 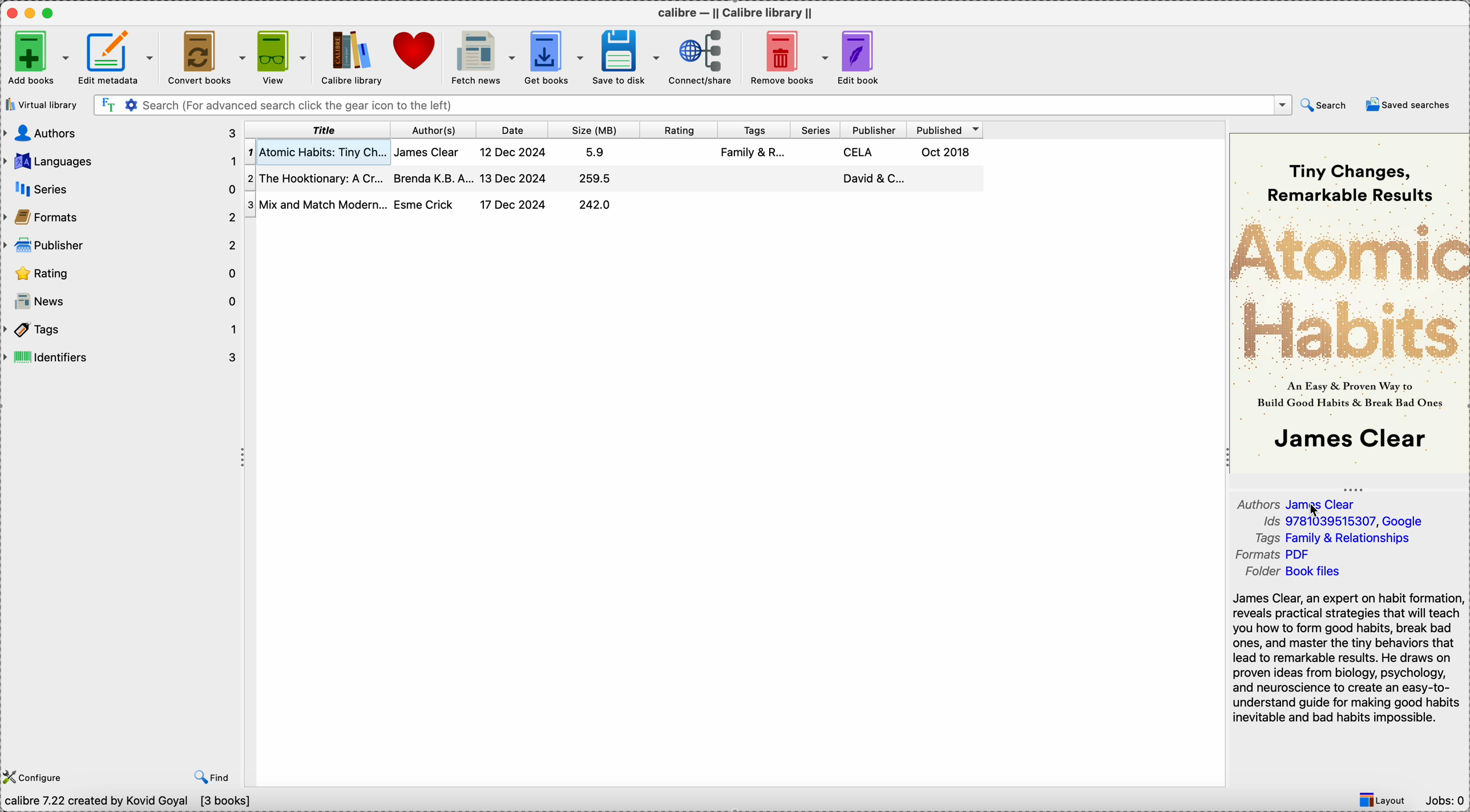 What do you see at coordinates (42, 104) in the screenshot?
I see `virtual library` at bounding box center [42, 104].